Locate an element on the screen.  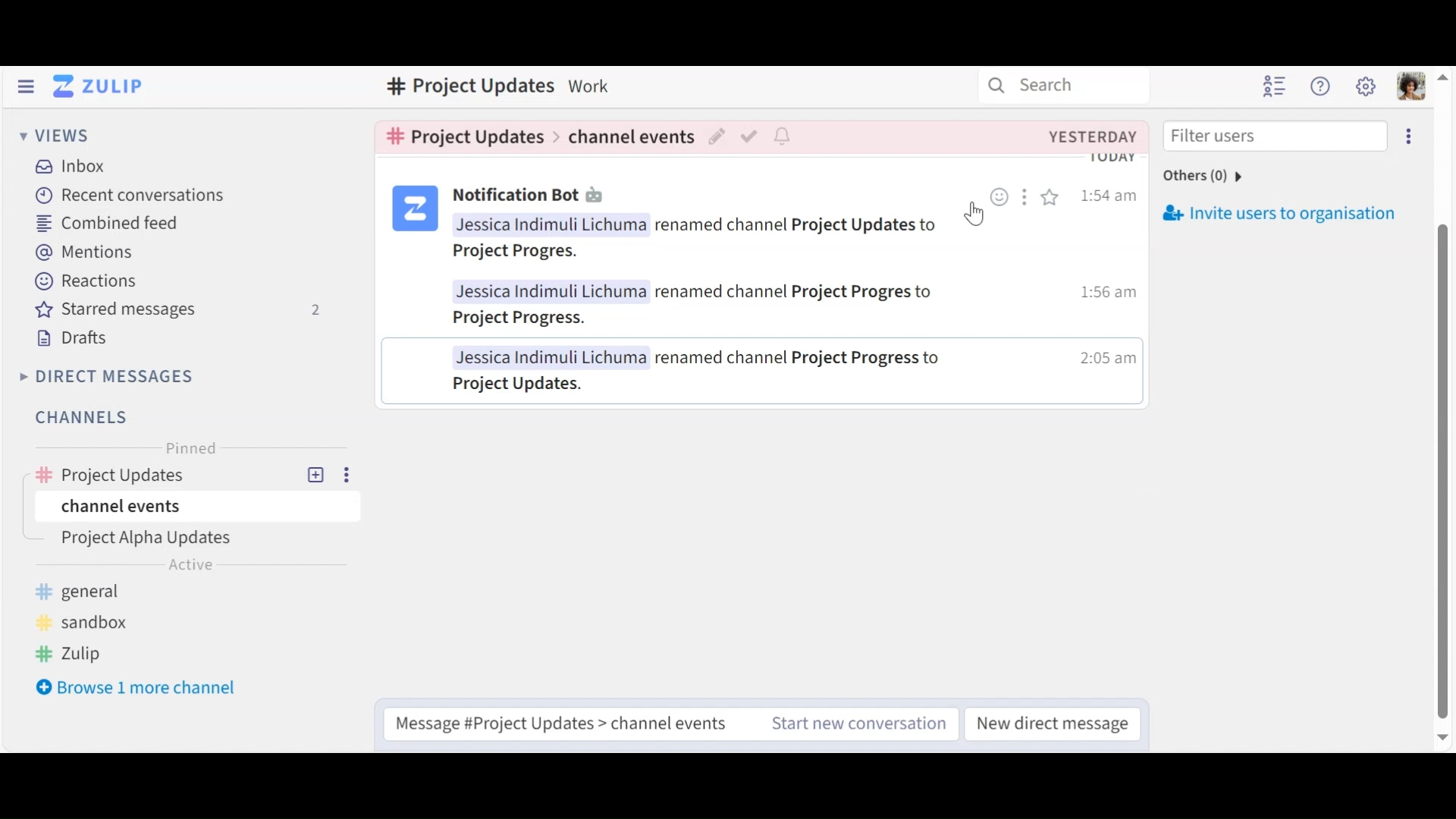
Channel events is located at coordinates (631, 134).